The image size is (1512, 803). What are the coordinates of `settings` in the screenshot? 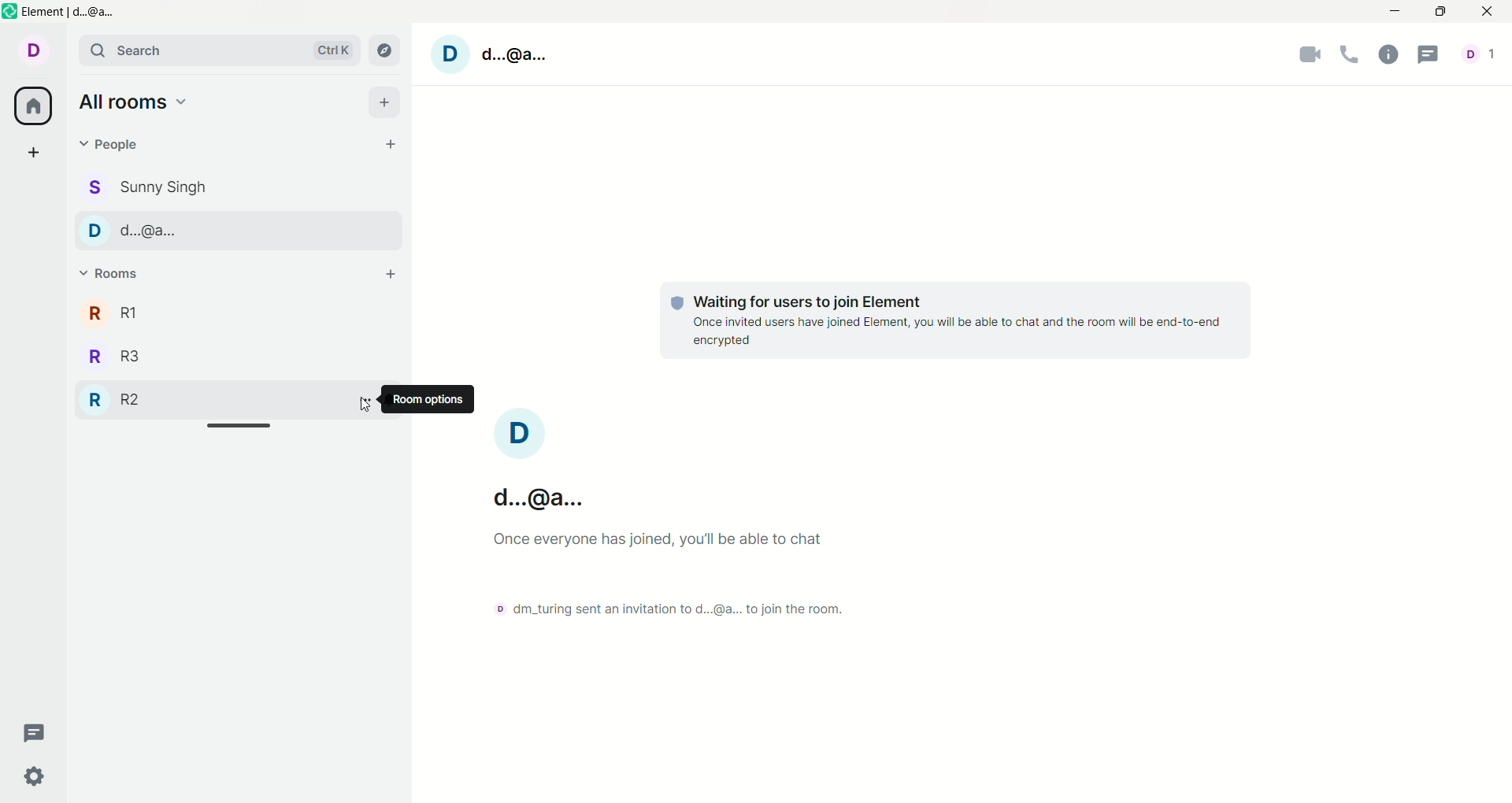 It's located at (34, 779).